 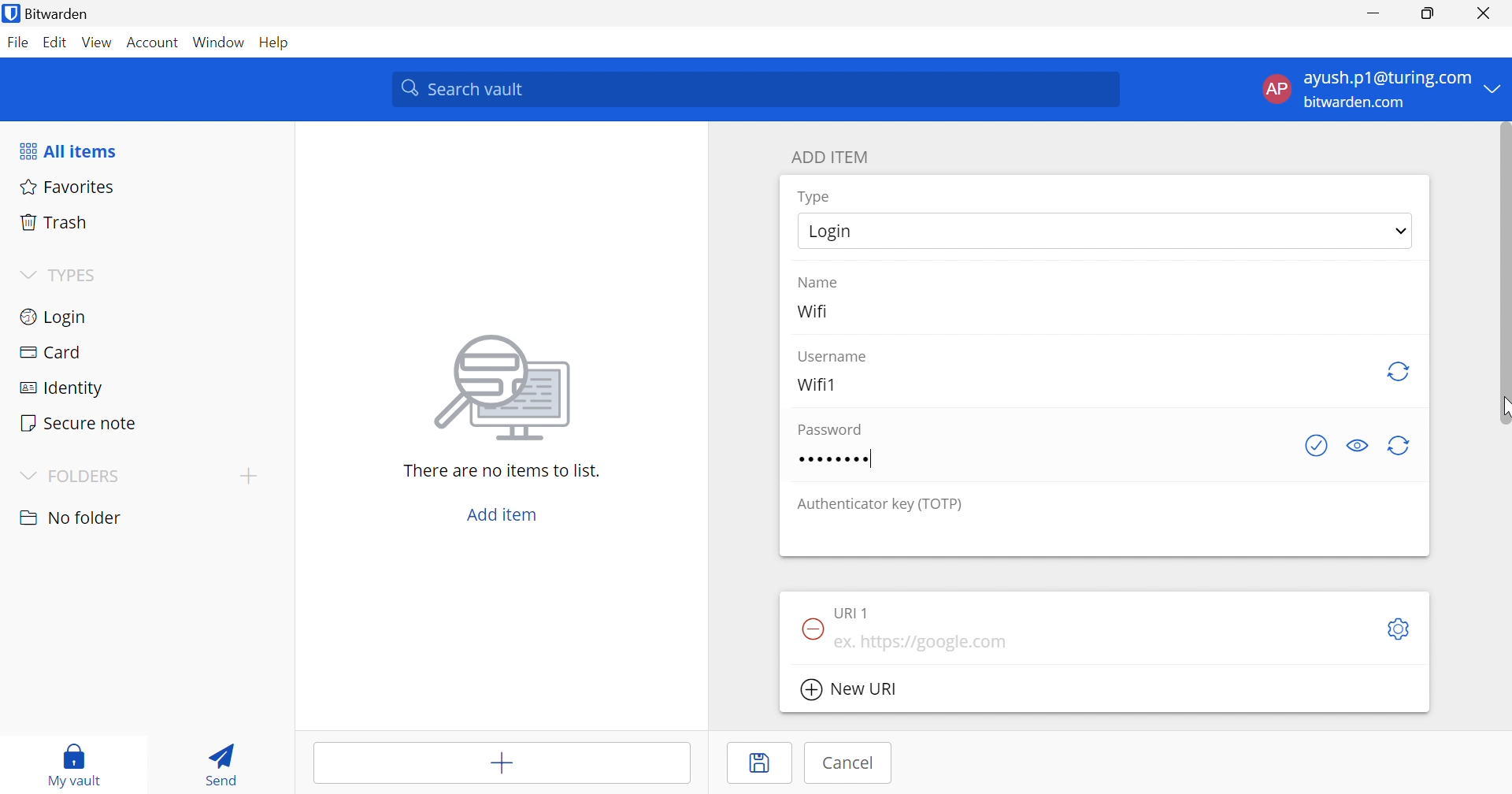 What do you see at coordinates (65, 185) in the screenshot?
I see `Favorites` at bounding box center [65, 185].